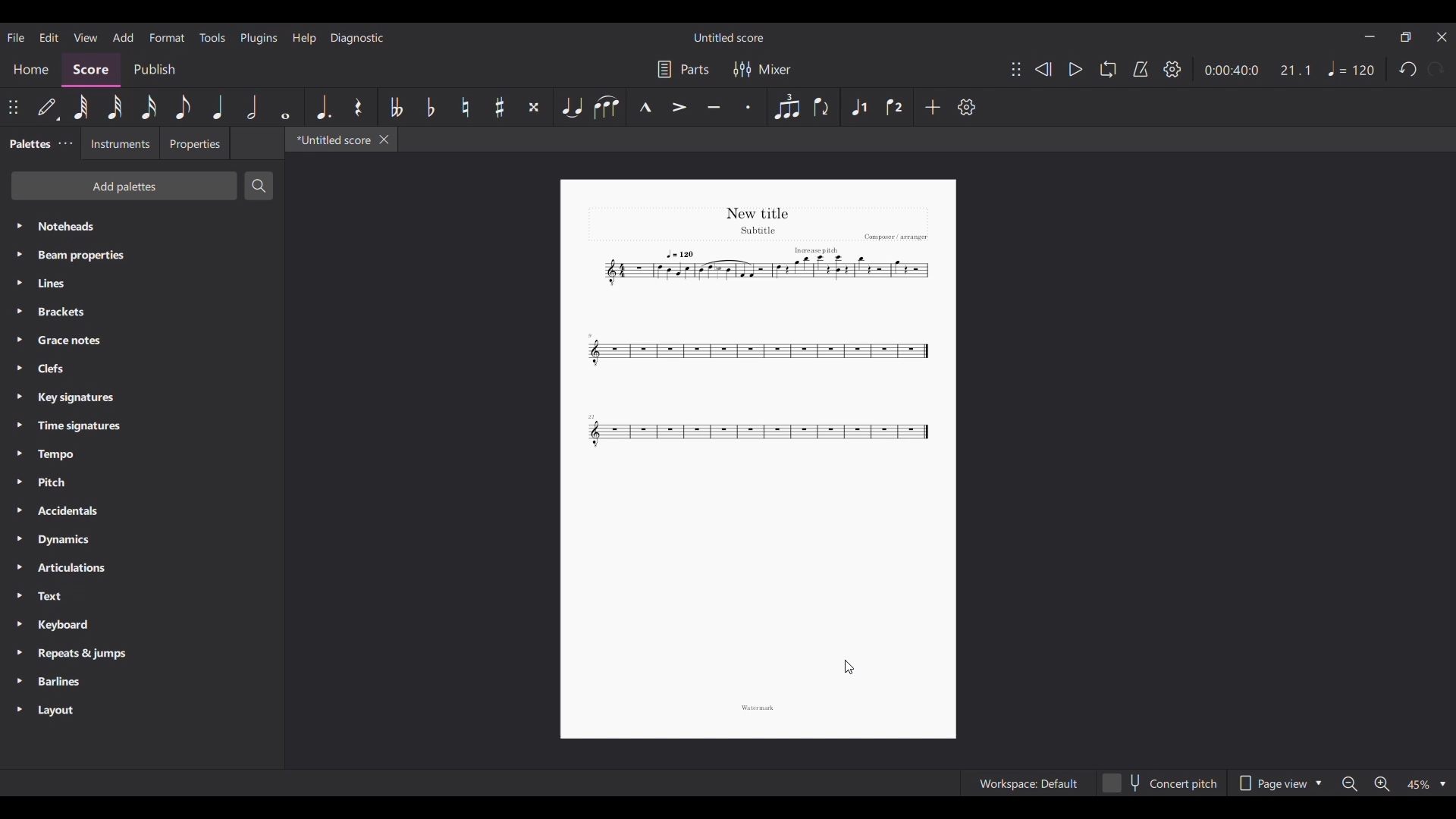 This screenshot has height=819, width=1456. Describe the element at coordinates (259, 38) in the screenshot. I see `Plugins menu` at that location.